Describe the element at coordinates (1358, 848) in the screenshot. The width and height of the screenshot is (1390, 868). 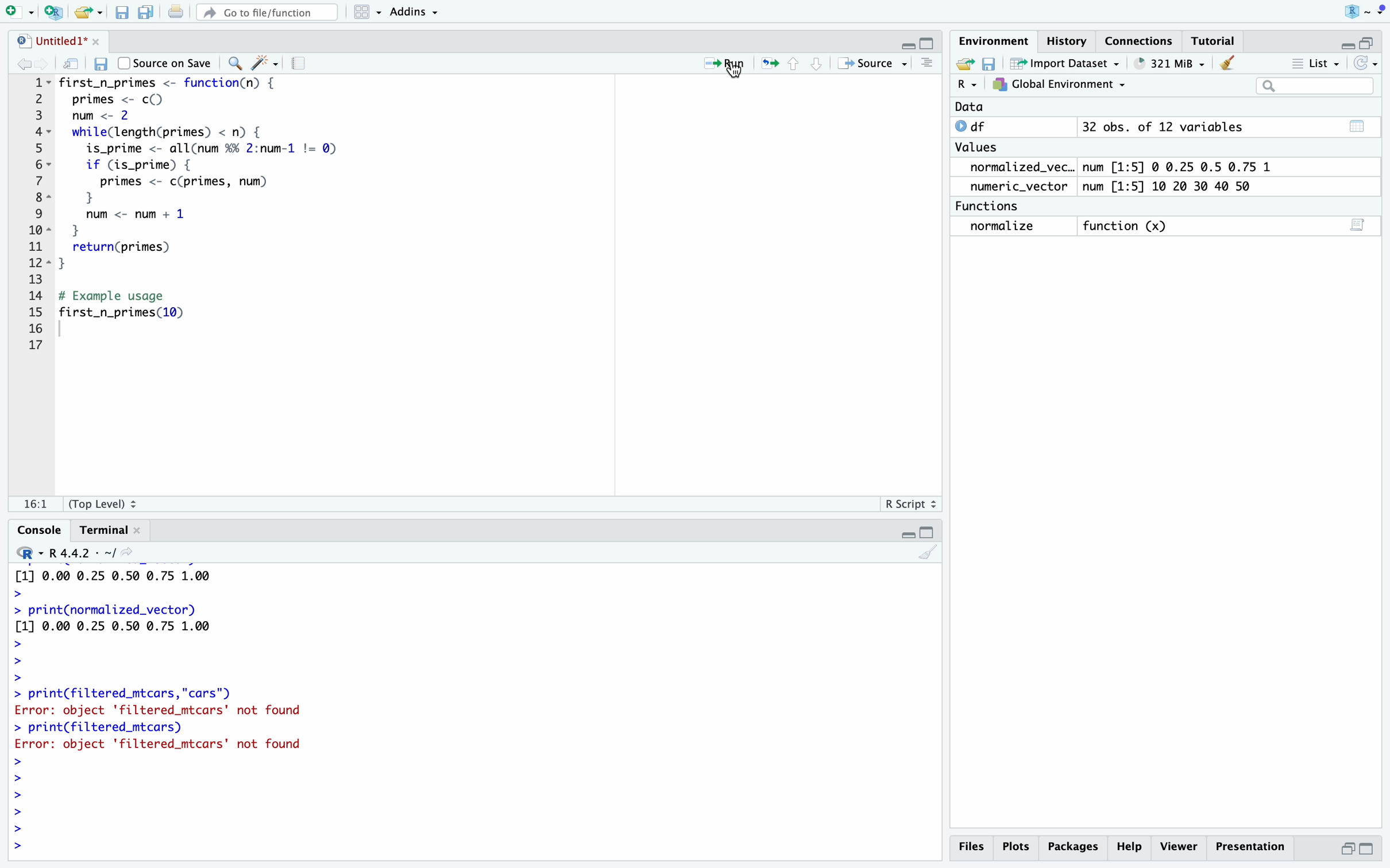
I see `maximize/minimize button` at that location.